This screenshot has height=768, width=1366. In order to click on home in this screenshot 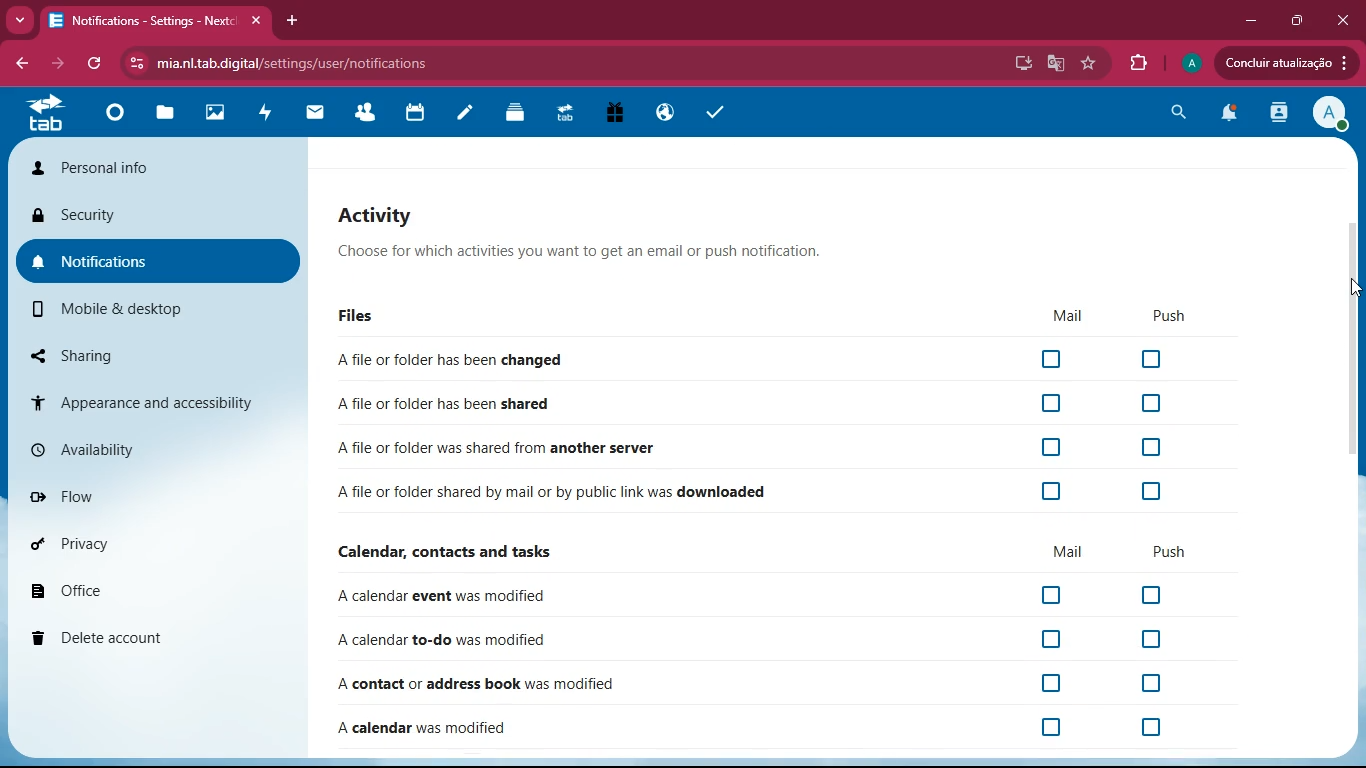, I will do `click(111, 122)`.